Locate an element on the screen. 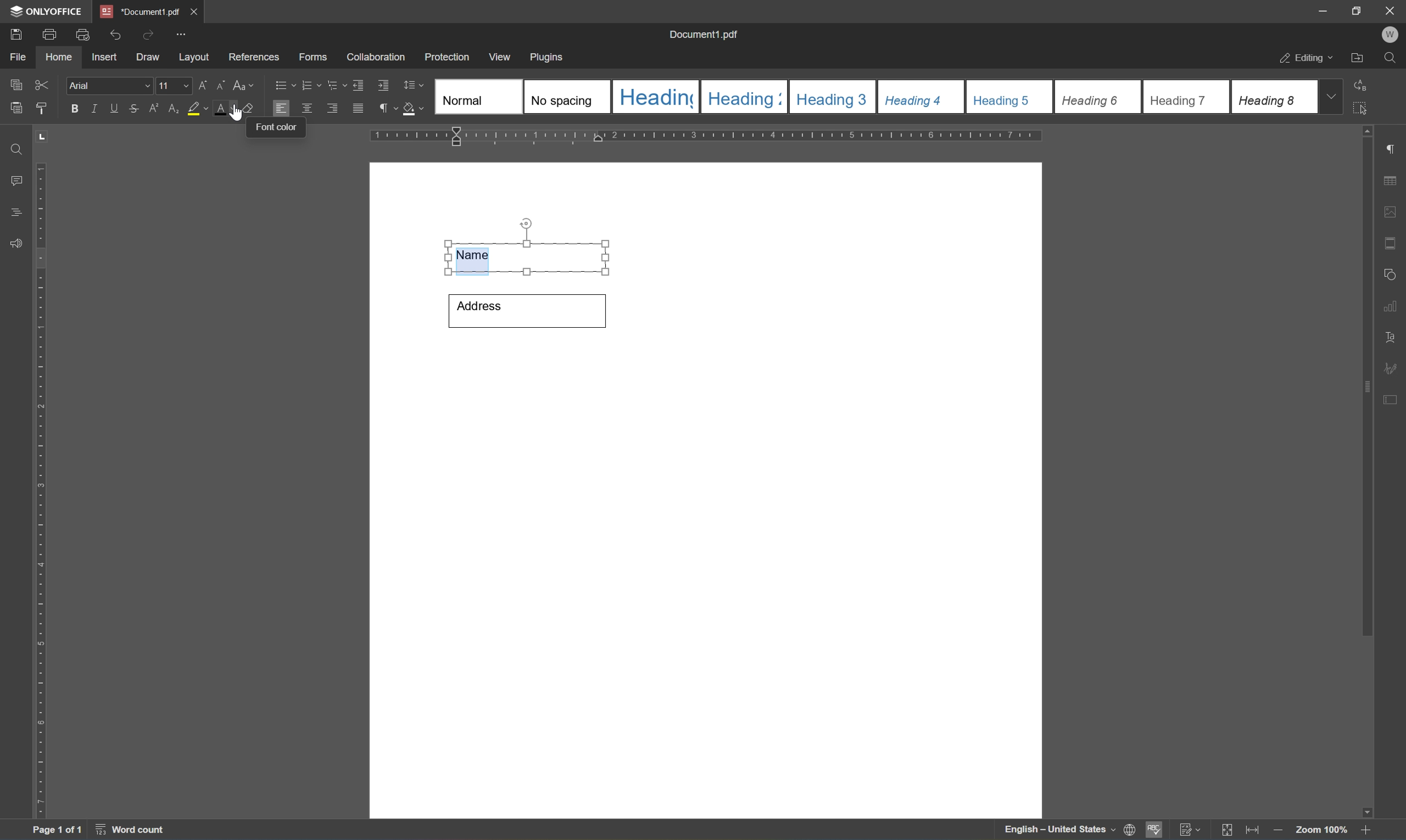 Image resolution: width=1406 pixels, height=840 pixels. increase indent is located at coordinates (384, 85).